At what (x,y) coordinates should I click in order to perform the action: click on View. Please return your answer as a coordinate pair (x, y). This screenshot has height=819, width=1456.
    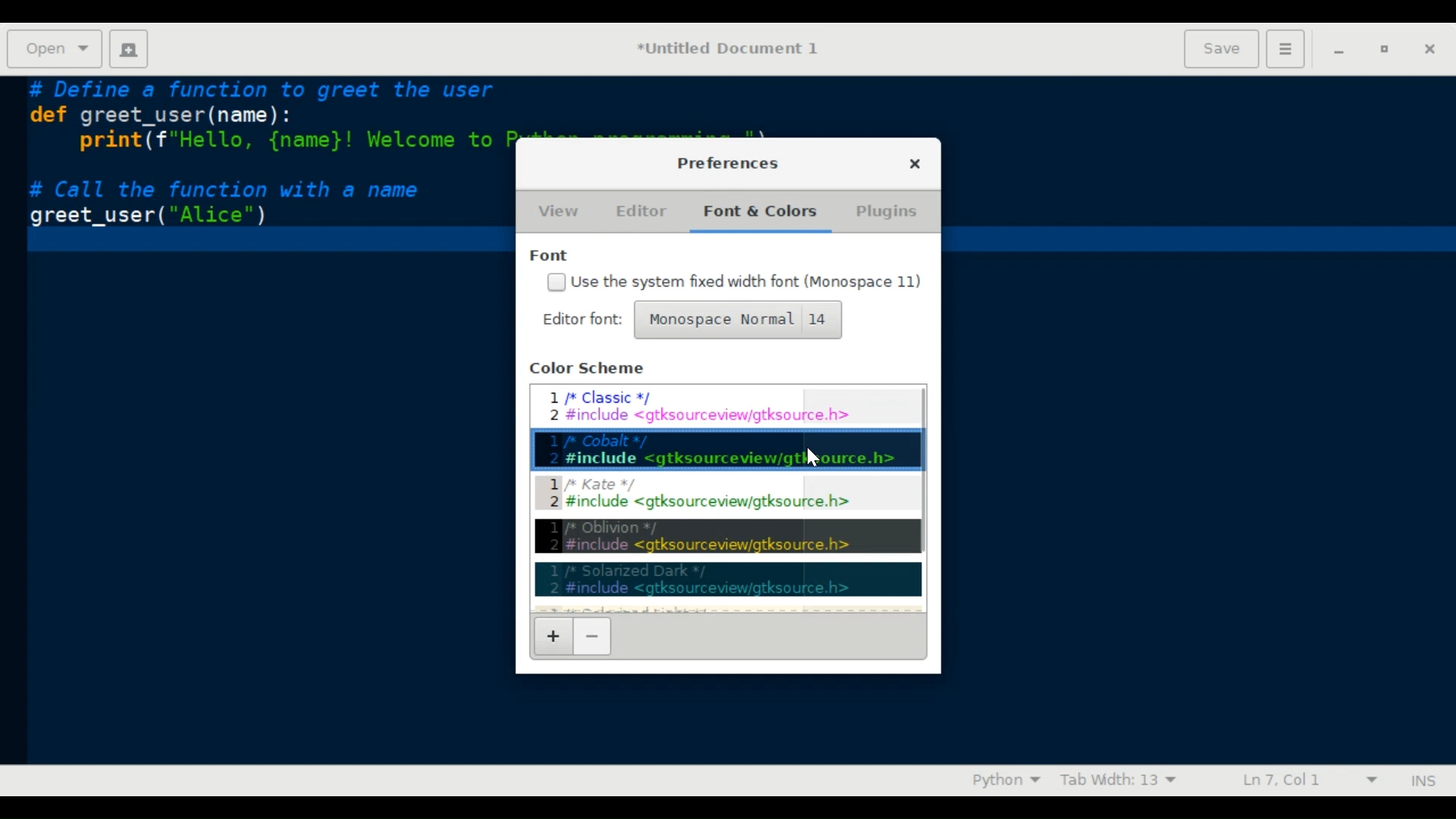
    Looking at the image, I should click on (559, 210).